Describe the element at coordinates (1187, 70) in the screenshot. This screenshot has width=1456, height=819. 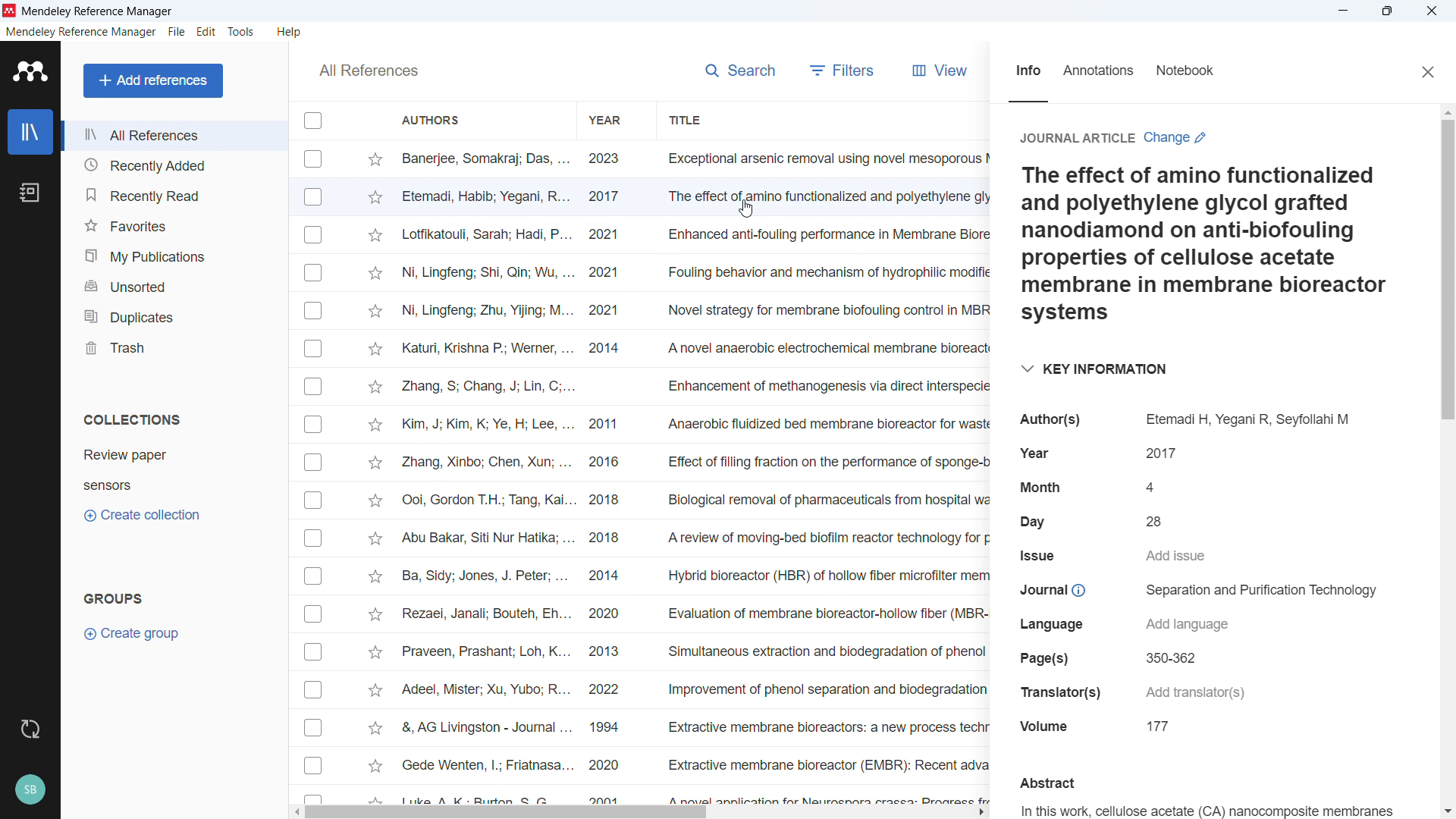
I see `Notebook ` at that location.